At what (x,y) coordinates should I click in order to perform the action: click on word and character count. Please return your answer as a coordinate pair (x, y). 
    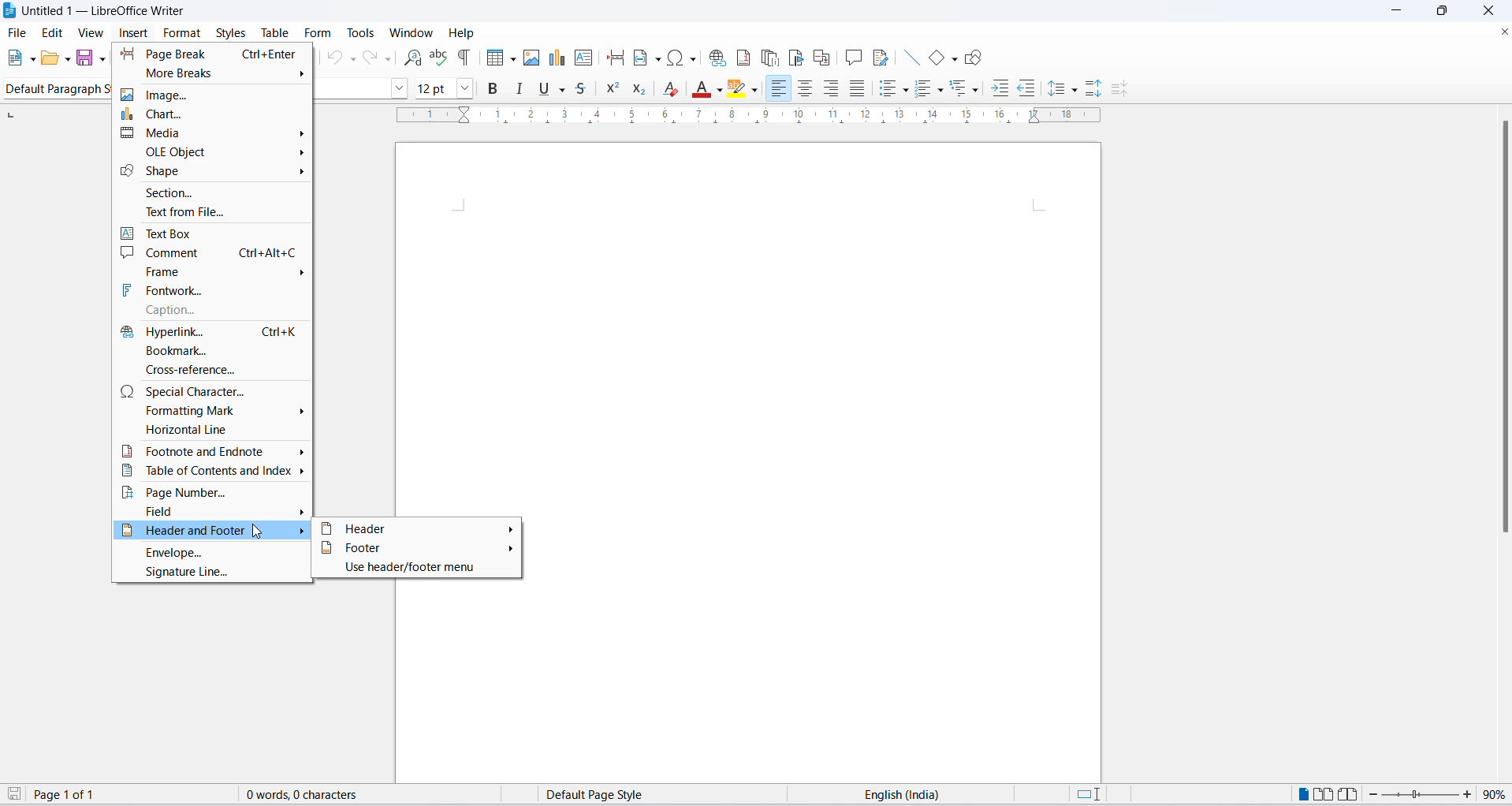
    Looking at the image, I should click on (310, 794).